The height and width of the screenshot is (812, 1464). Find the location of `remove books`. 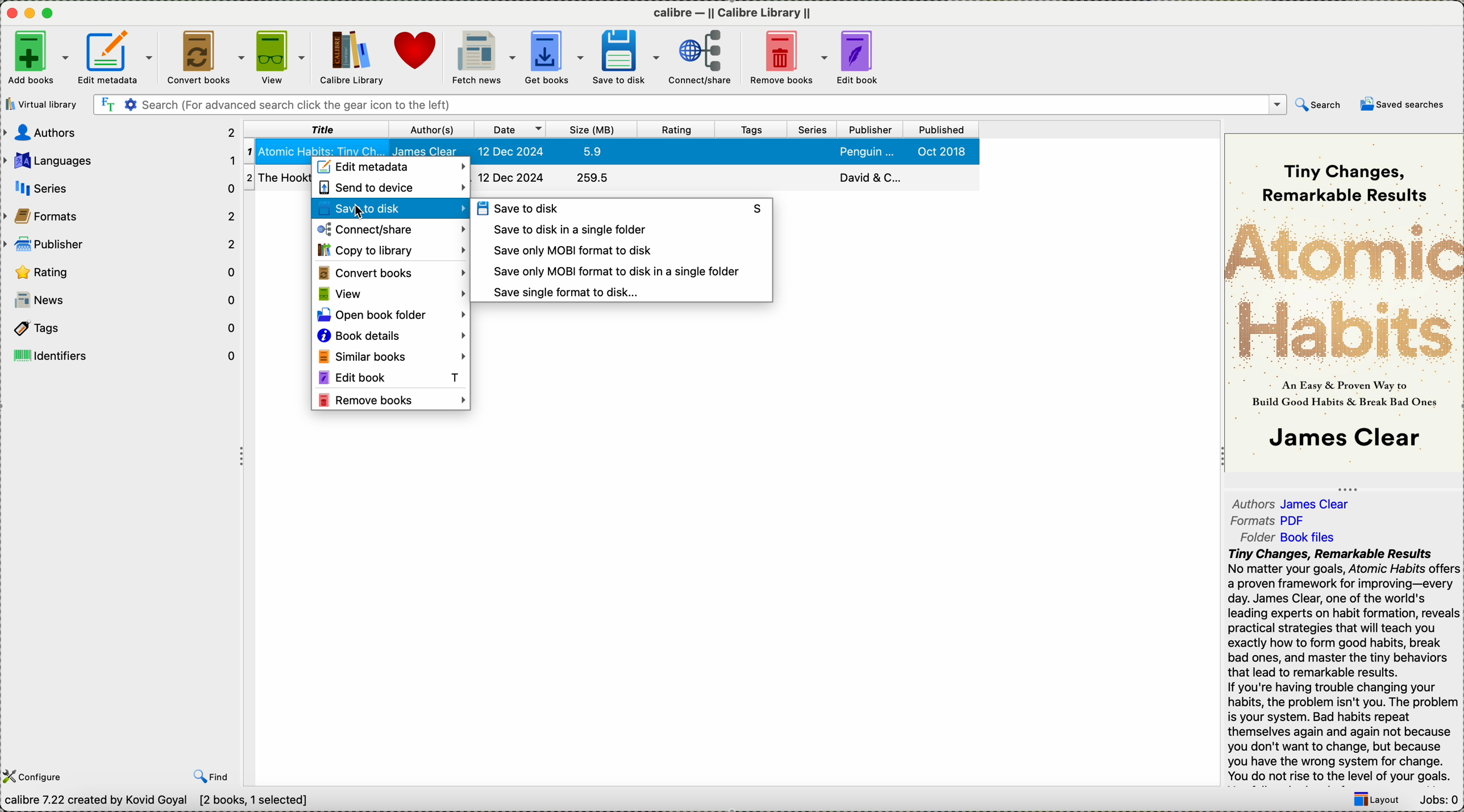

remove books is located at coordinates (788, 57).